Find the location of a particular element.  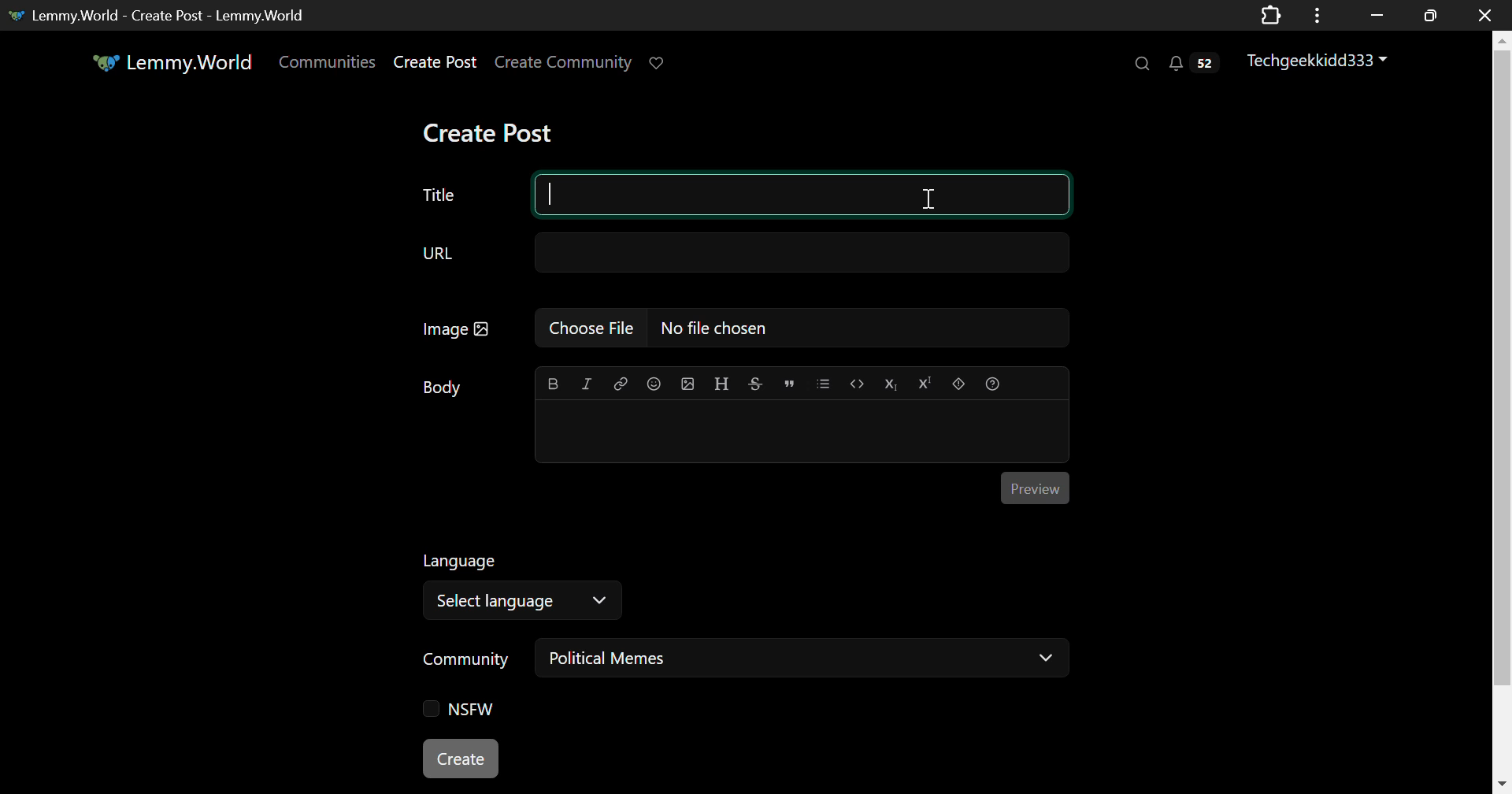

Formatting Help is located at coordinates (991, 384).